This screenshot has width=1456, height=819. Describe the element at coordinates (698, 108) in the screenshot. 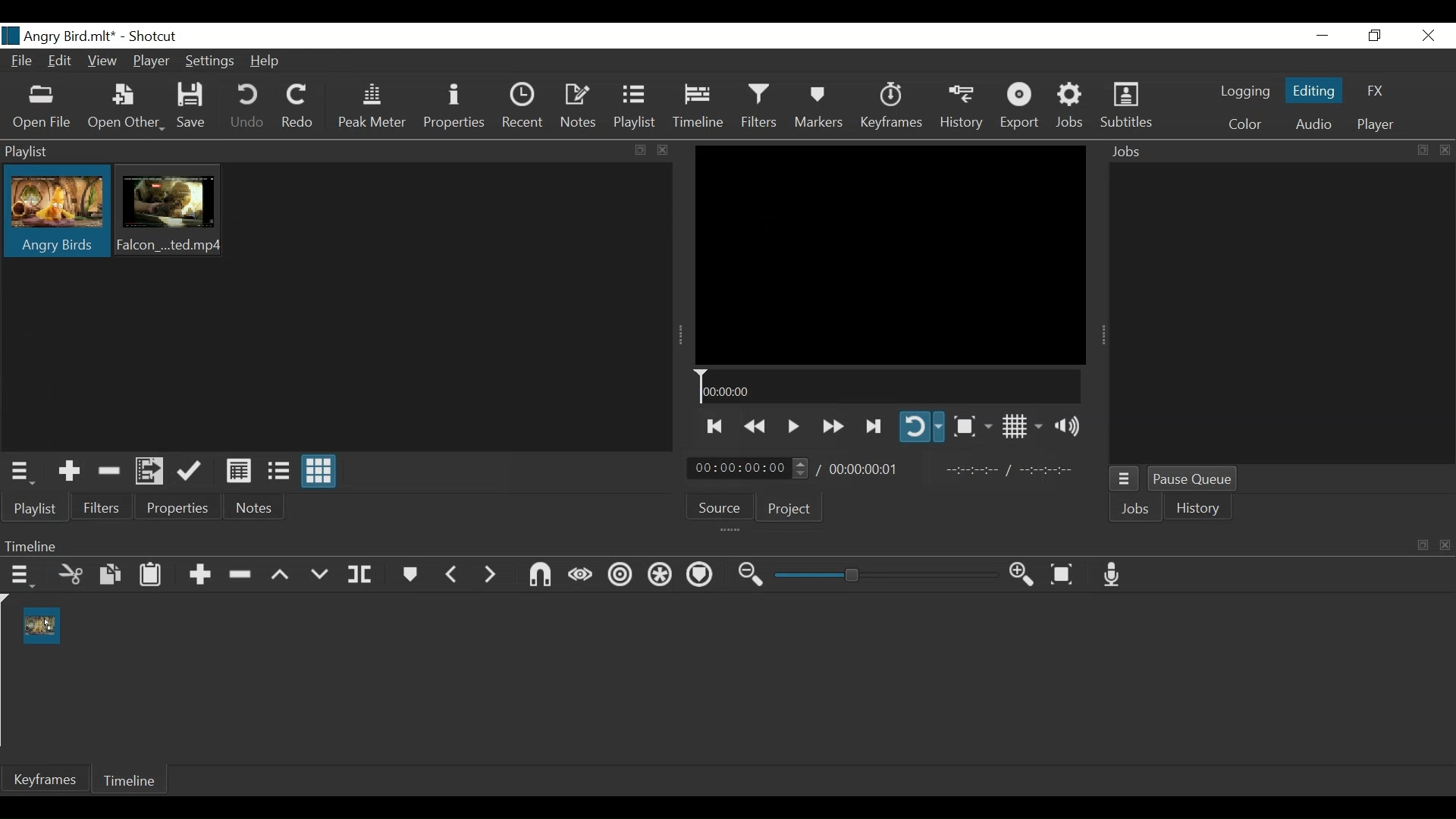

I see `Timeline` at that location.